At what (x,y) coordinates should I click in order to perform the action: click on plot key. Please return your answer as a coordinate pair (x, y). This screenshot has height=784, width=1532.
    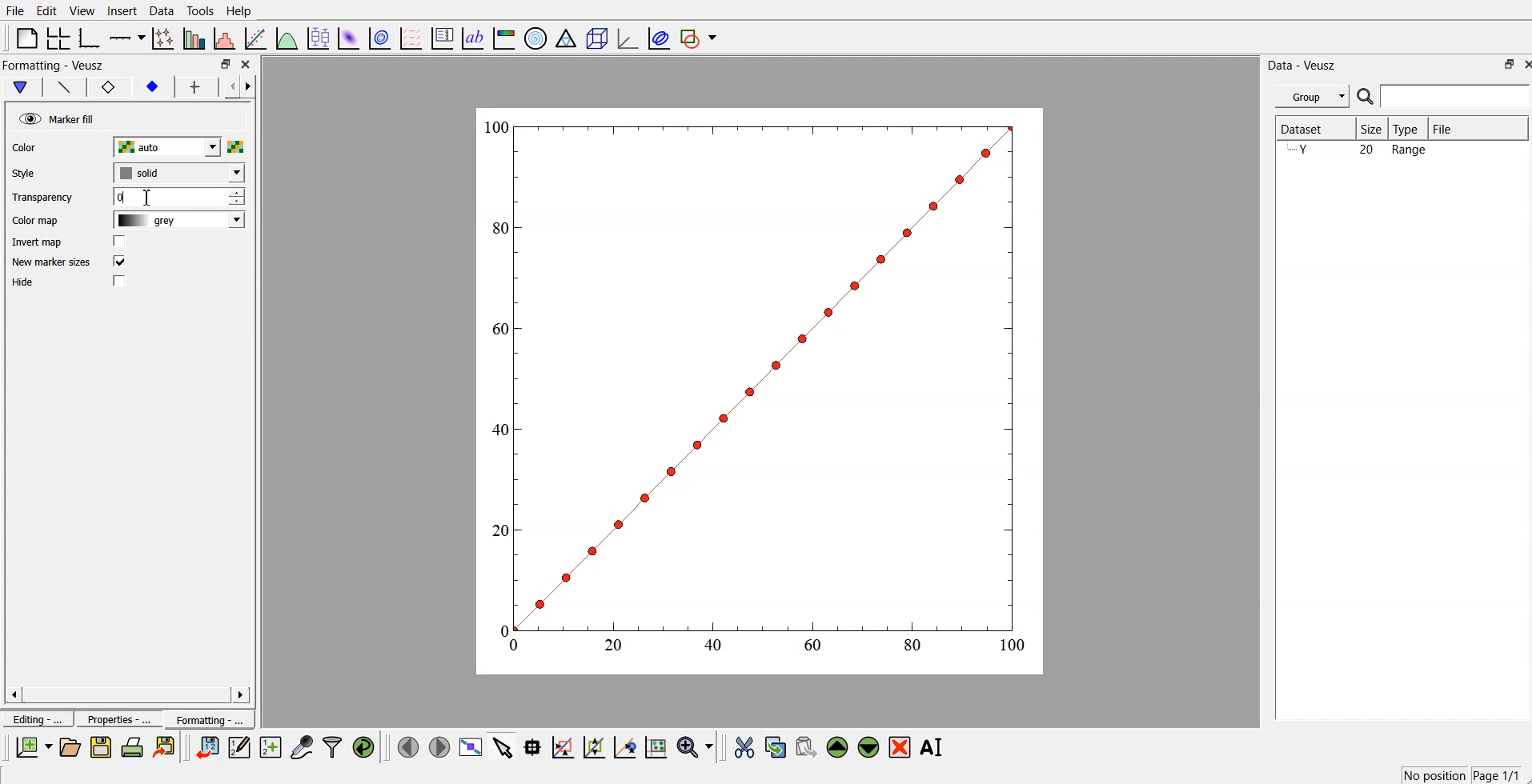
    Looking at the image, I should click on (443, 37).